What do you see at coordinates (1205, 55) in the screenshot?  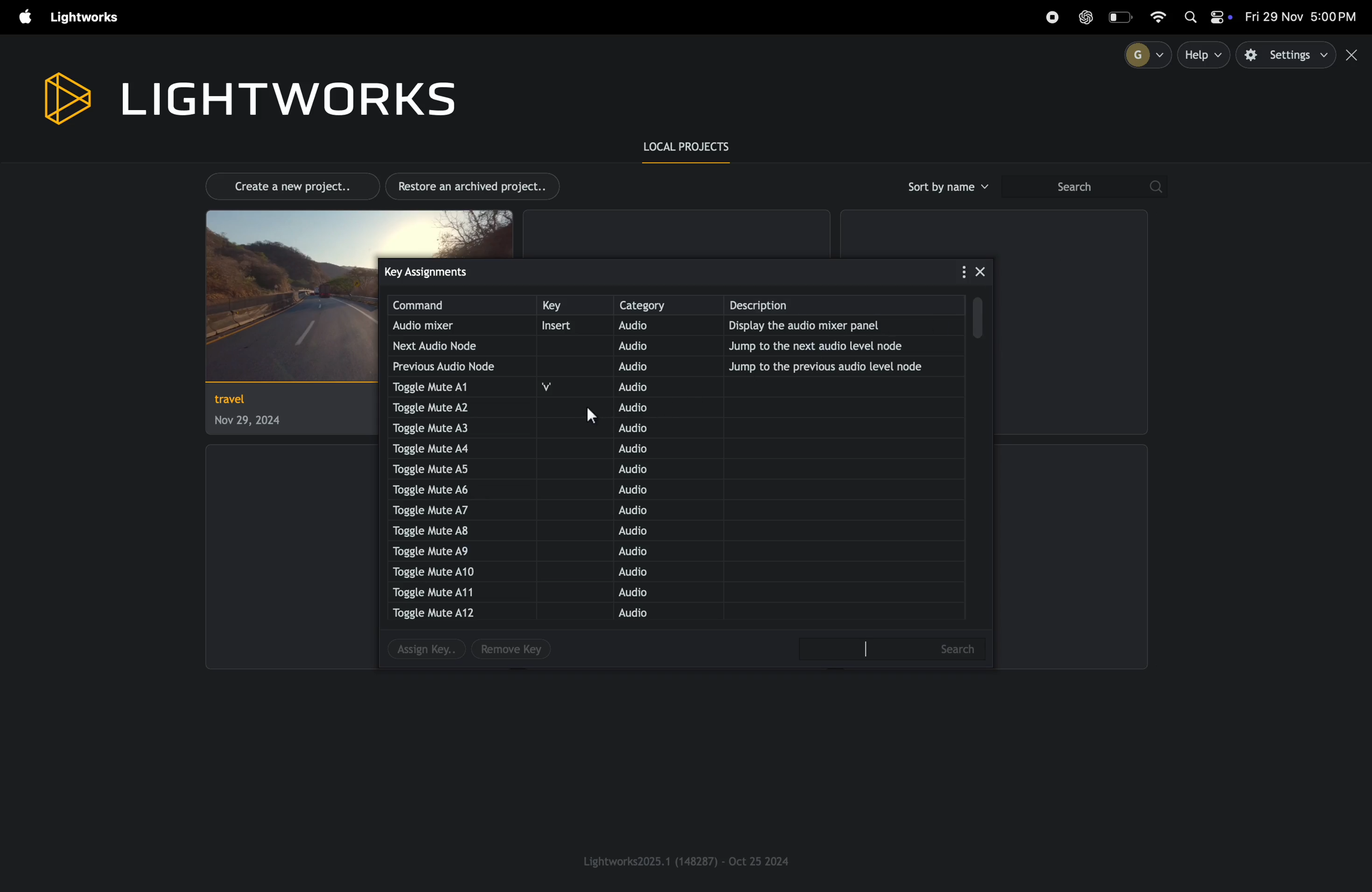 I see `help` at bounding box center [1205, 55].